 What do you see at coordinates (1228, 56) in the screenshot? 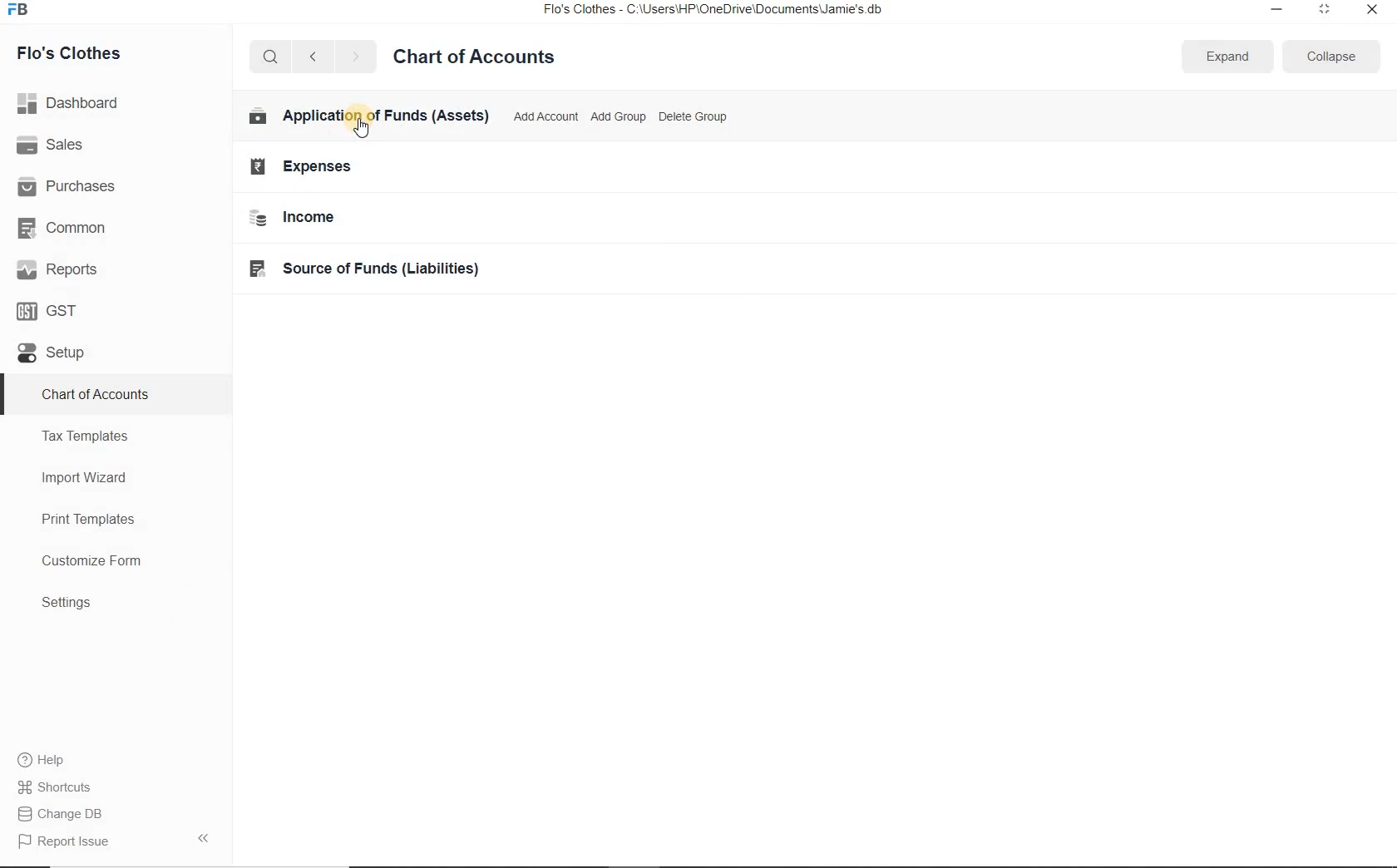
I see `Expand` at bounding box center [1228, 56].